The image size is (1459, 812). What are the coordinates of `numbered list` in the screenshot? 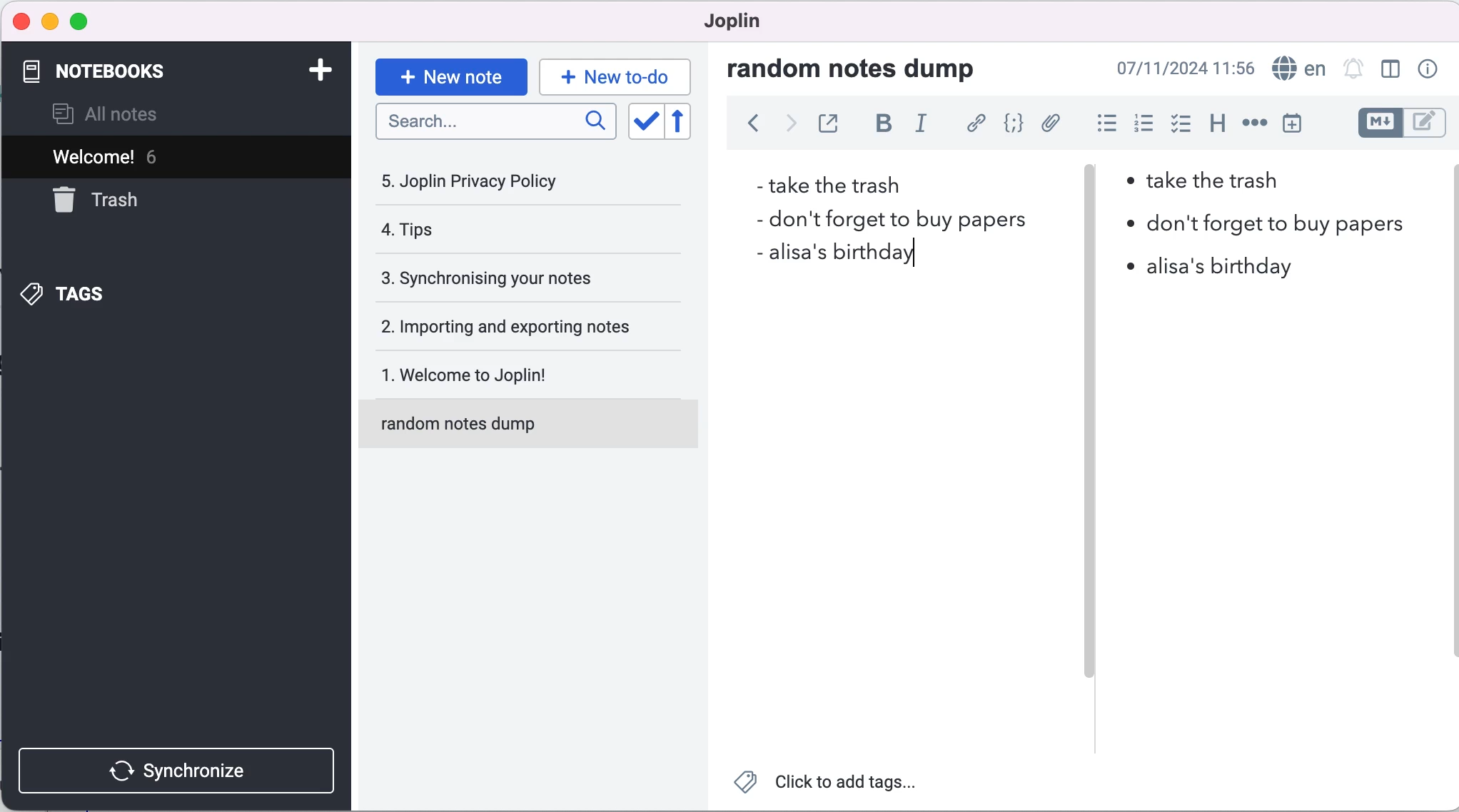 It's located at (1141, 123).